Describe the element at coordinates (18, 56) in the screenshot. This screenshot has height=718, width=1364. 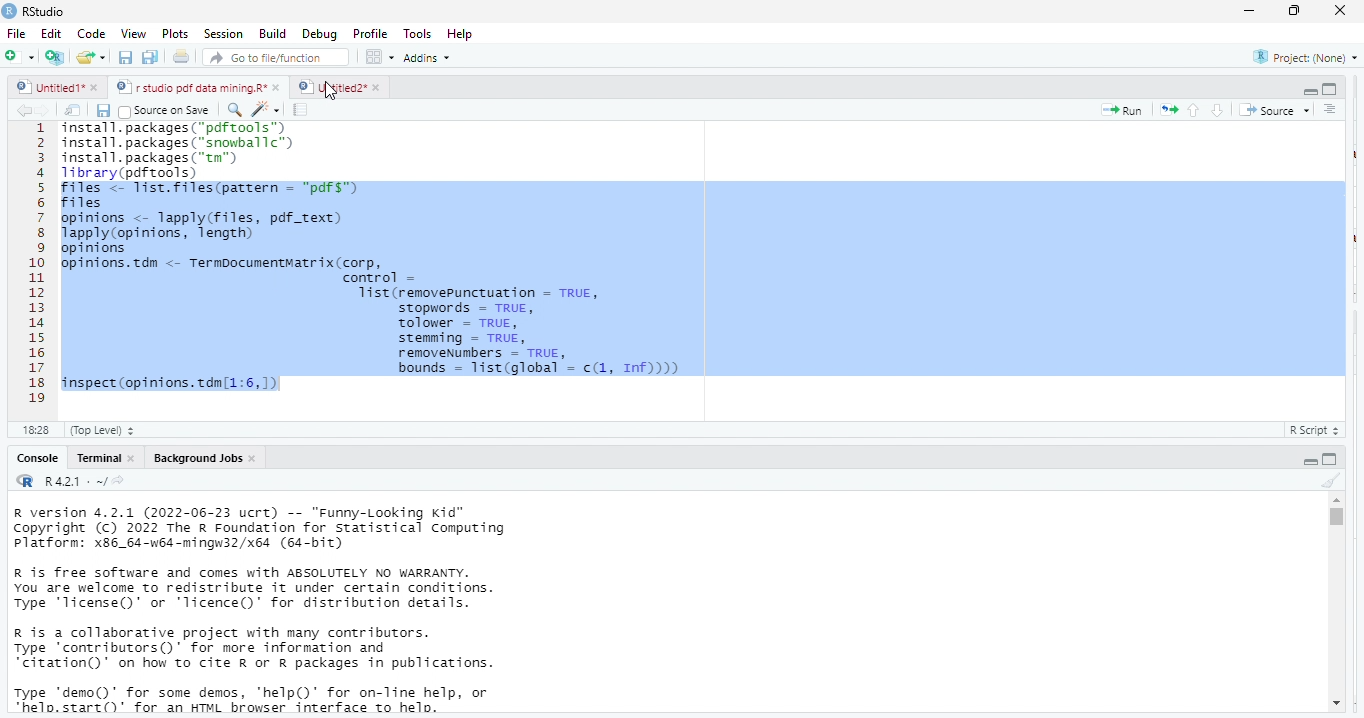
I see `new file` at that location.